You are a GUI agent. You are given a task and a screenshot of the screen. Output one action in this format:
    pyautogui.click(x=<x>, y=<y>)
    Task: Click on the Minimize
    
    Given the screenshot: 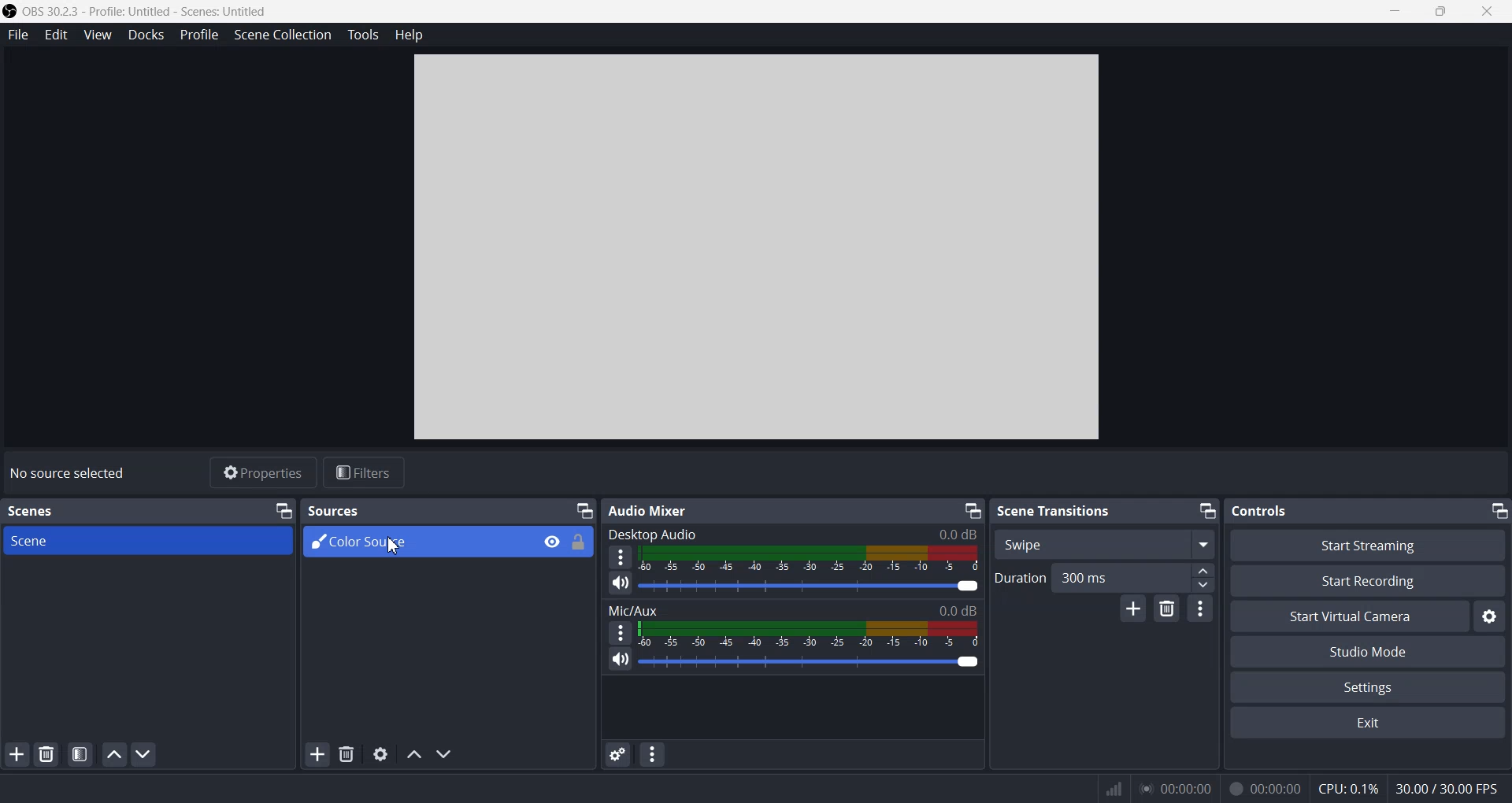 What is the action you would take?
    pyautogui.click(x=283, y=509)
    